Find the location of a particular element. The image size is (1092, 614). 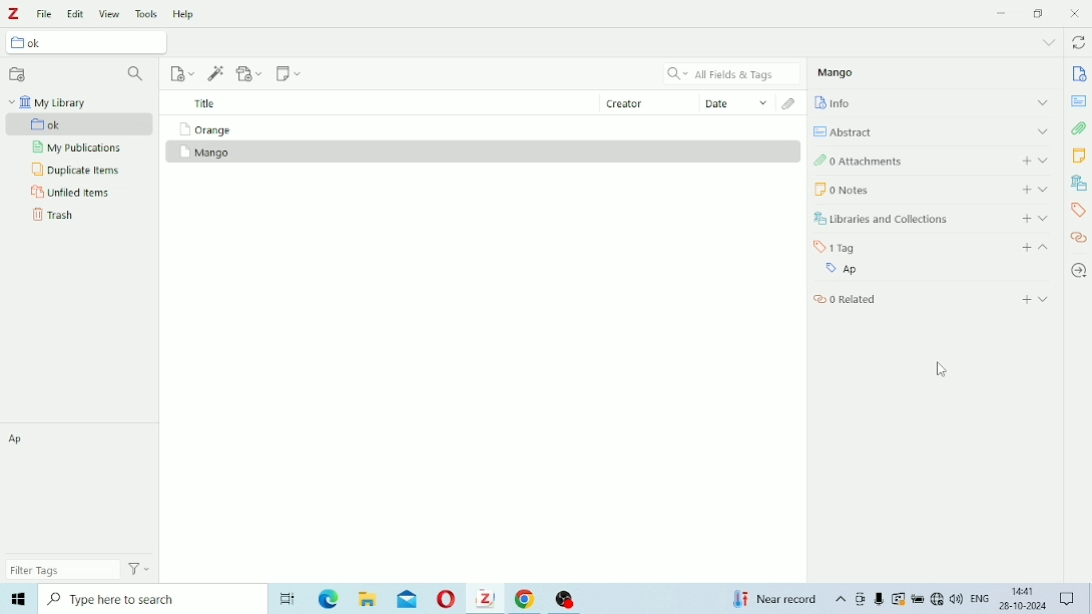

New Note is located at coordinates (289, 74).